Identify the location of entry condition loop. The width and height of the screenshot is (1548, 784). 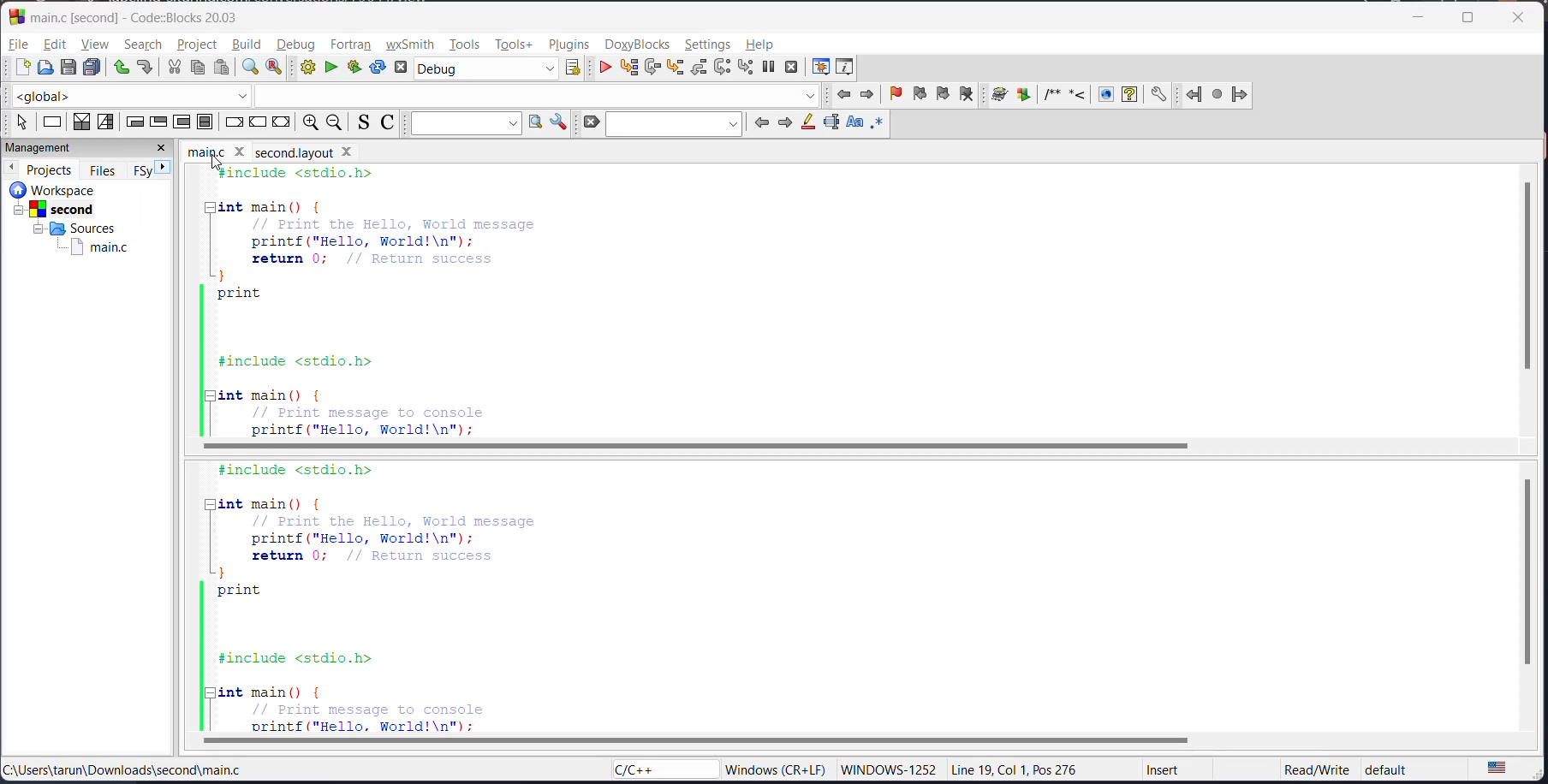
(134, 122).